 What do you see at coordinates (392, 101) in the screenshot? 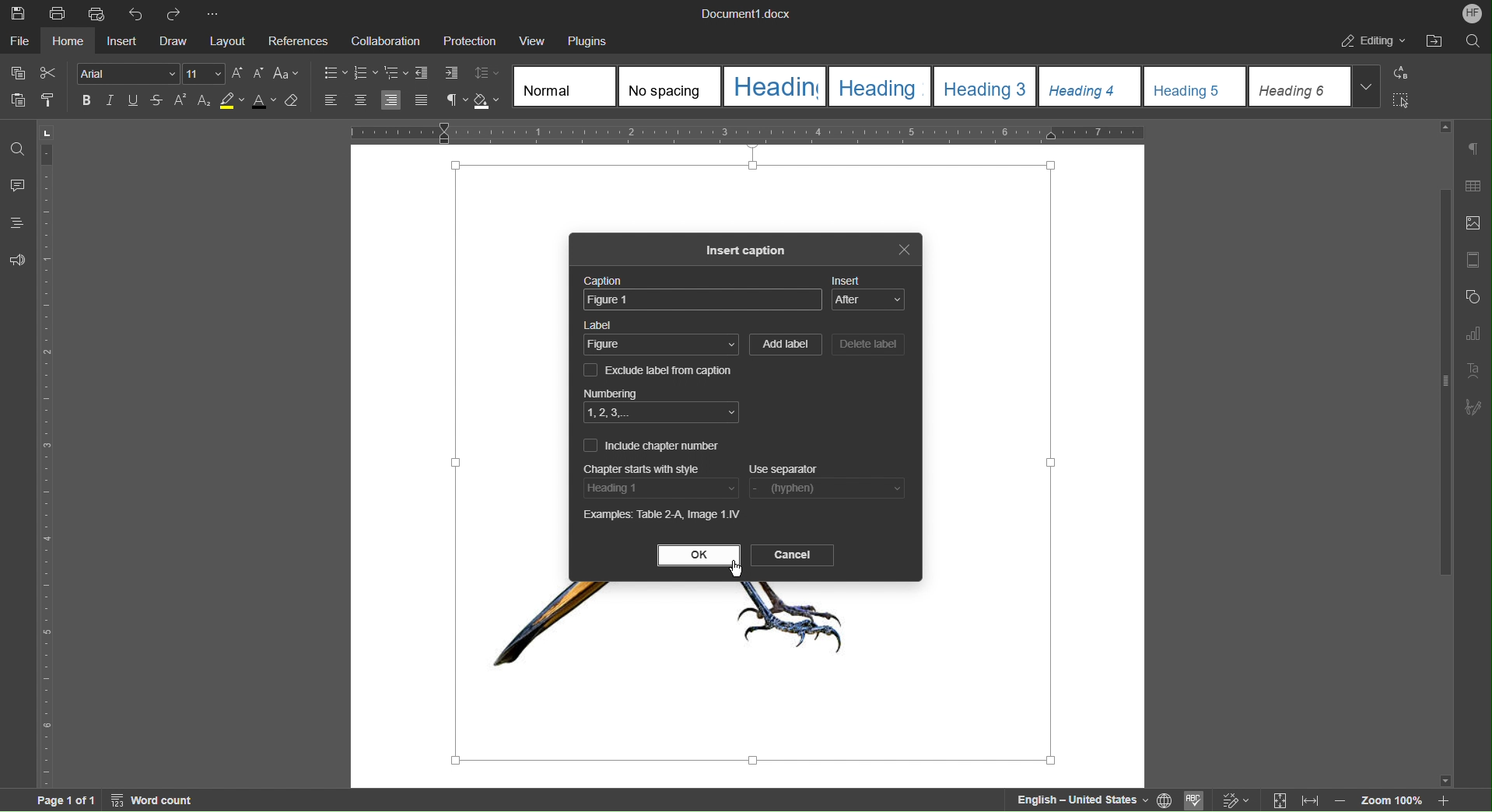
I see `Align Right` at bounding box center [392, 101].